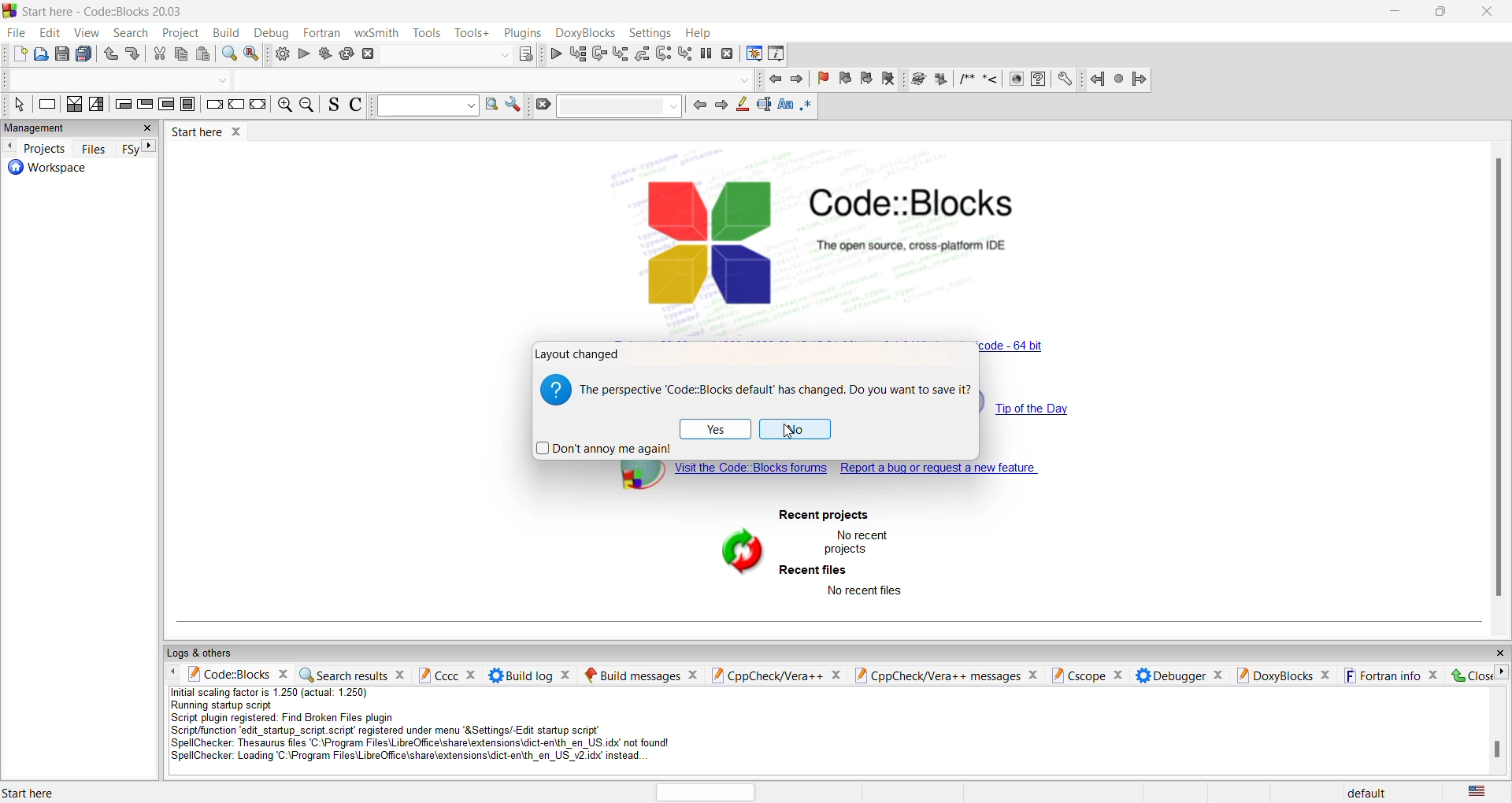 This screenshot has width=1512, height=803. I want to click on Code::Blocks, so click(915, 202).